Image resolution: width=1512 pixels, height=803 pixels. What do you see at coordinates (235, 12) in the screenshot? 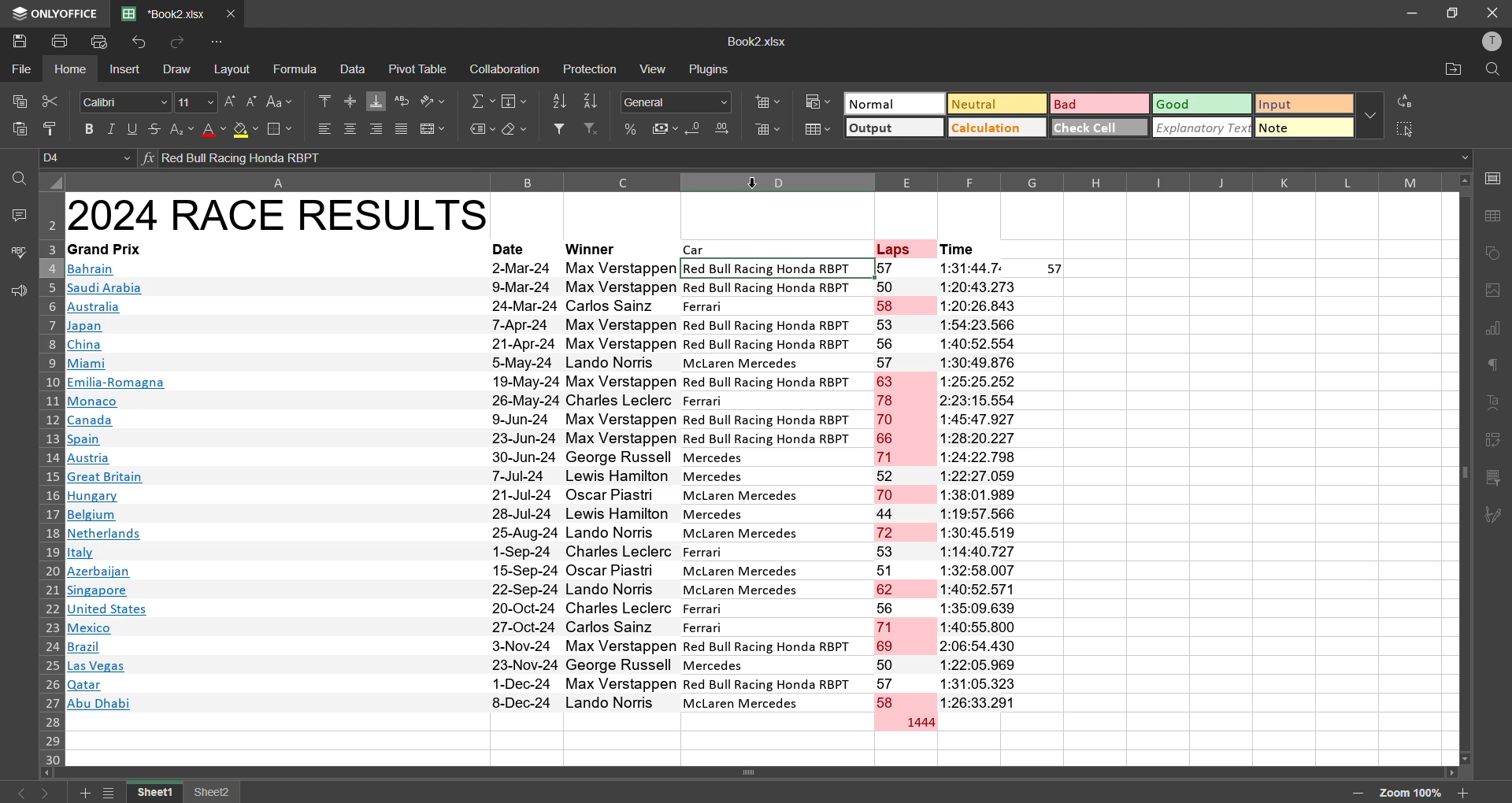
I see `close tab` at bounding box center [235, 12].